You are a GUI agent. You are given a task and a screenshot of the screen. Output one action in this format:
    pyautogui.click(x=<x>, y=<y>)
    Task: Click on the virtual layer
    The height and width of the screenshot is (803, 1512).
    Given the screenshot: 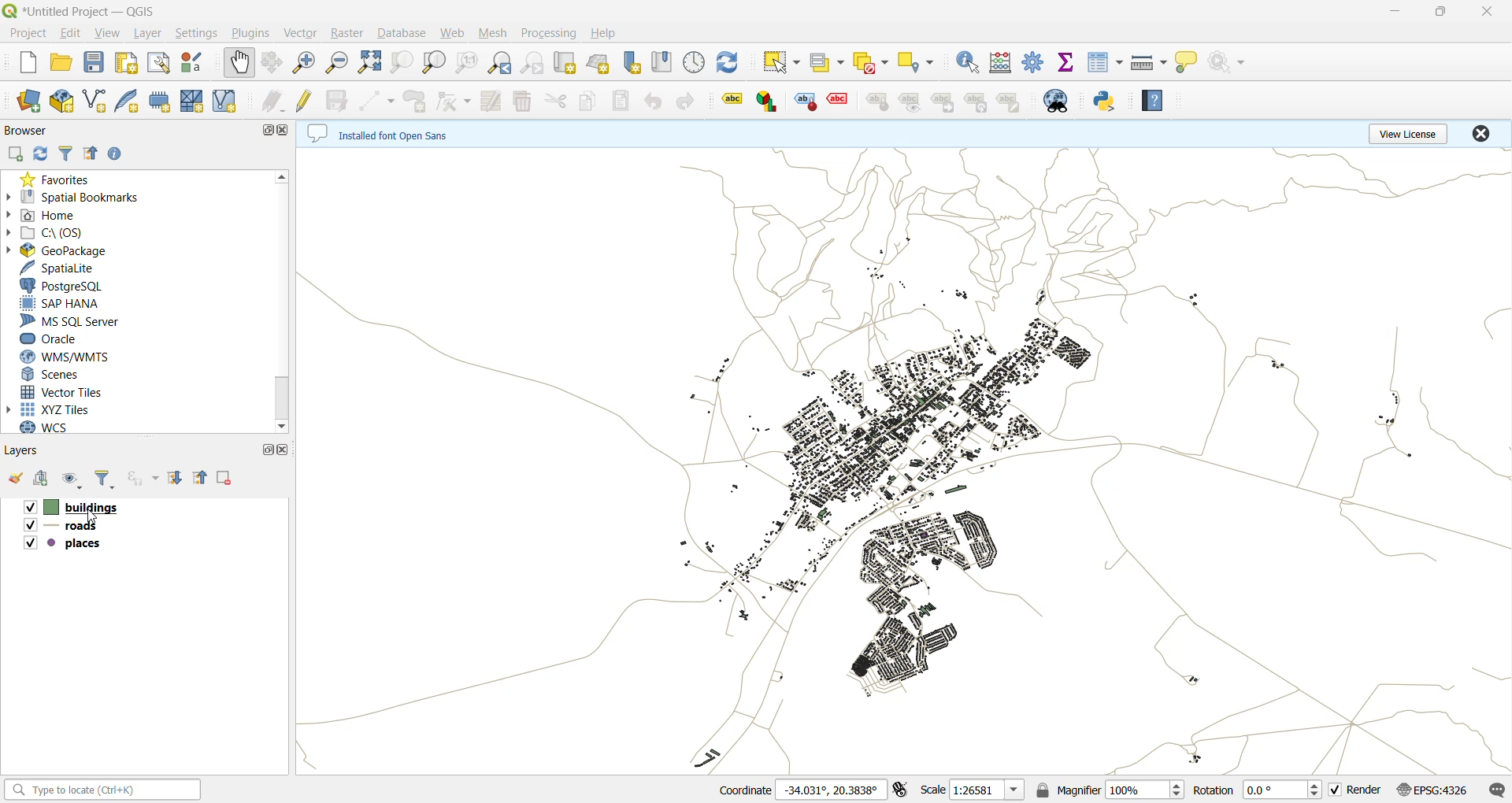 What is the action you would take?
    pyautogui.click(x=224, y=102)
    